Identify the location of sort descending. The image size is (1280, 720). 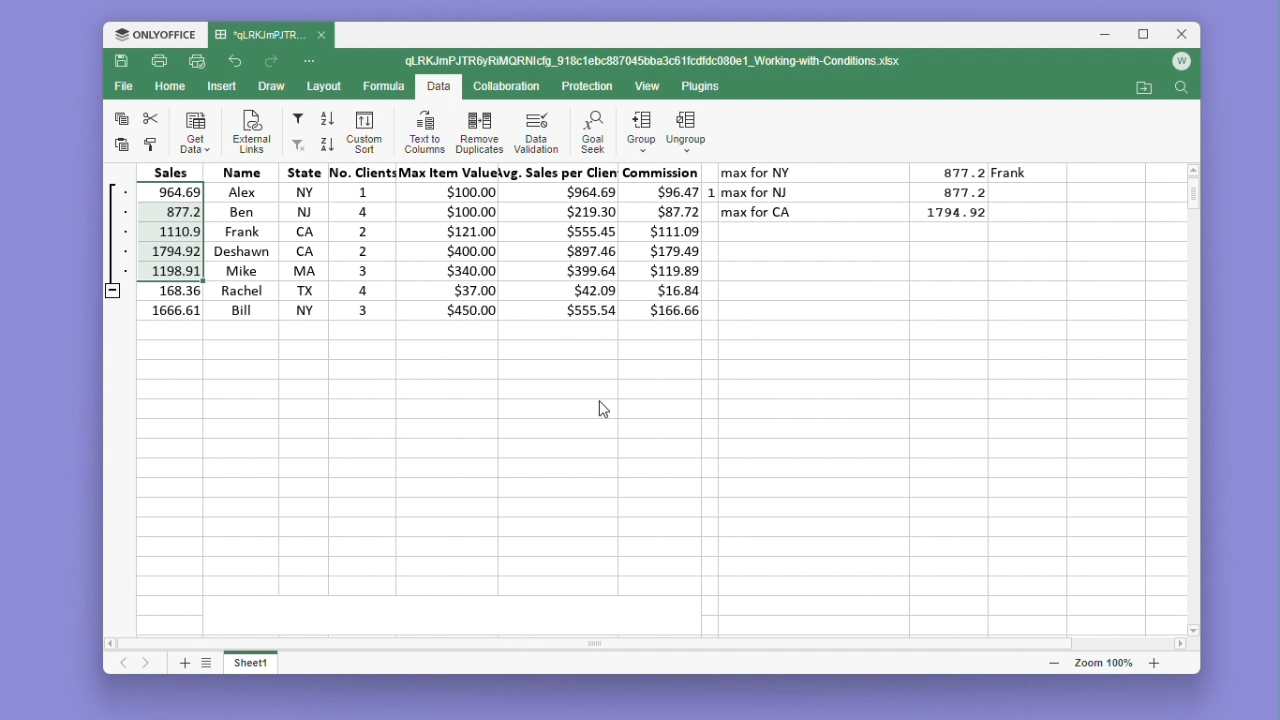
(326, 144).